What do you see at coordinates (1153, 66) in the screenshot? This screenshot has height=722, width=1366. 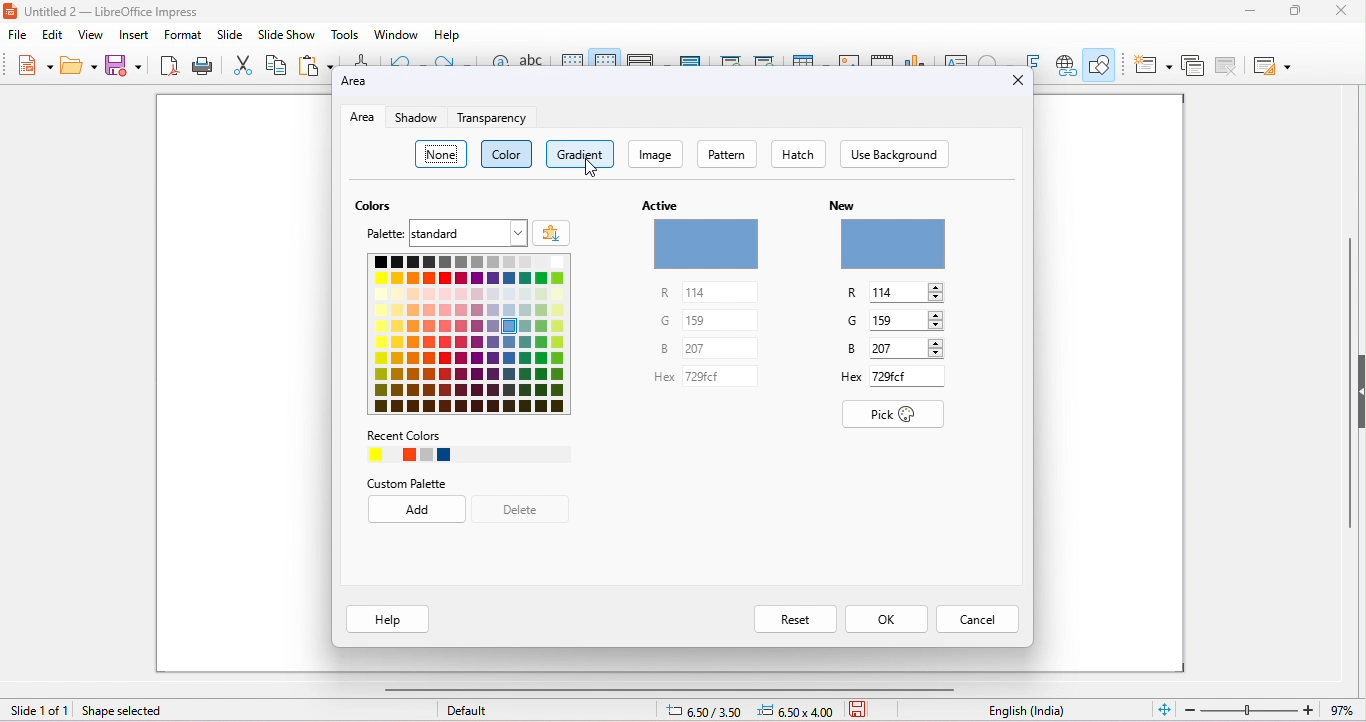 I see `new slide` at bounding box center [1153, 66].